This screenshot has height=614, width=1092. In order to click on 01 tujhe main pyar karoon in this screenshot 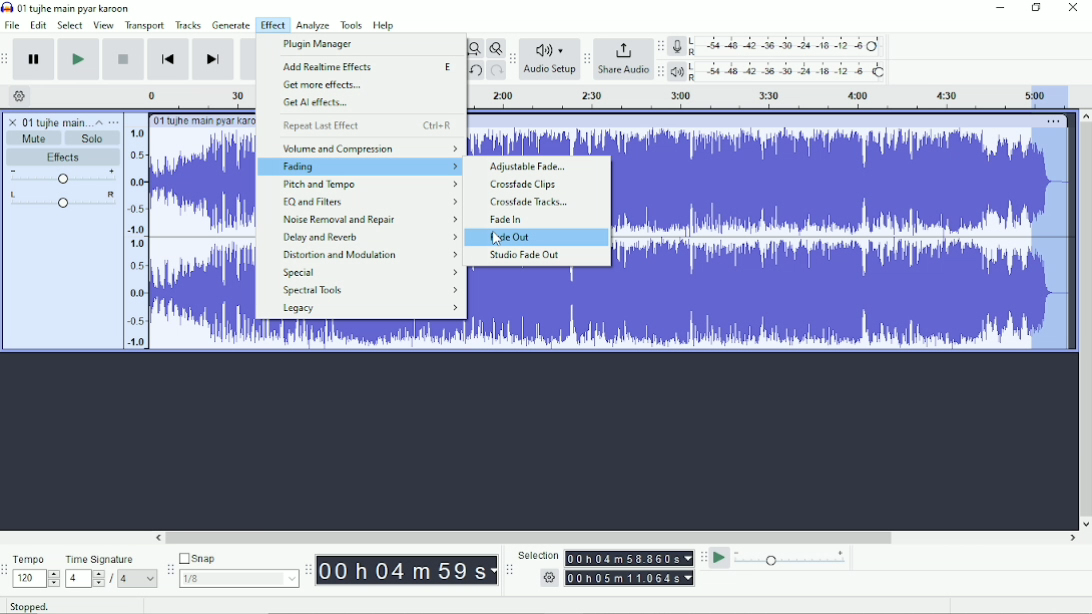, I will do `click(56, 121)`.